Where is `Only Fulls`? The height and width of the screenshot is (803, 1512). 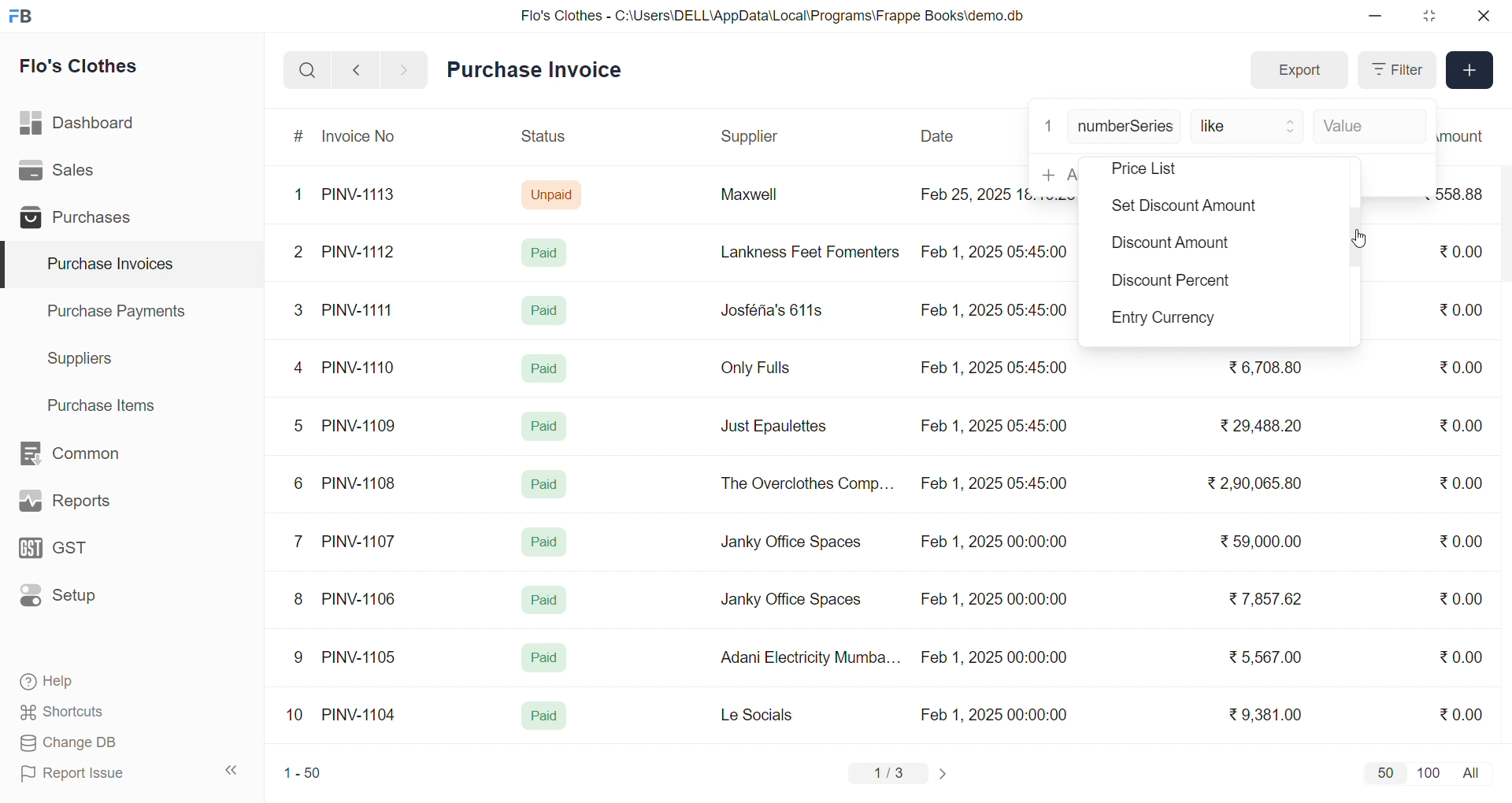
Only Fulls is located at coordinates (762, 372).